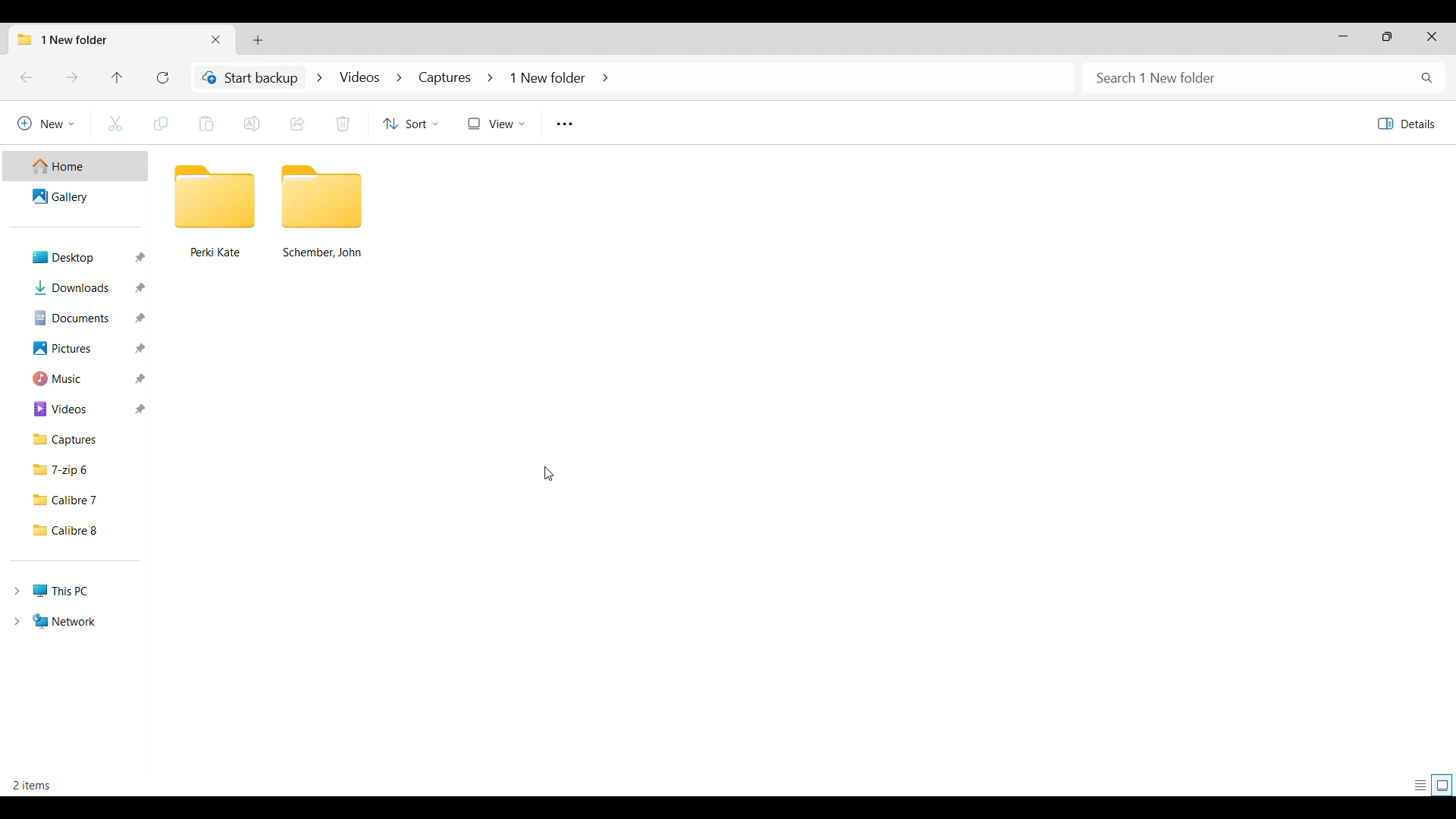 The height and width of the screenshot is (819, 1456). Describe the element at coordinates (77, 318) in the screenshot. I see `Documents` at that location.